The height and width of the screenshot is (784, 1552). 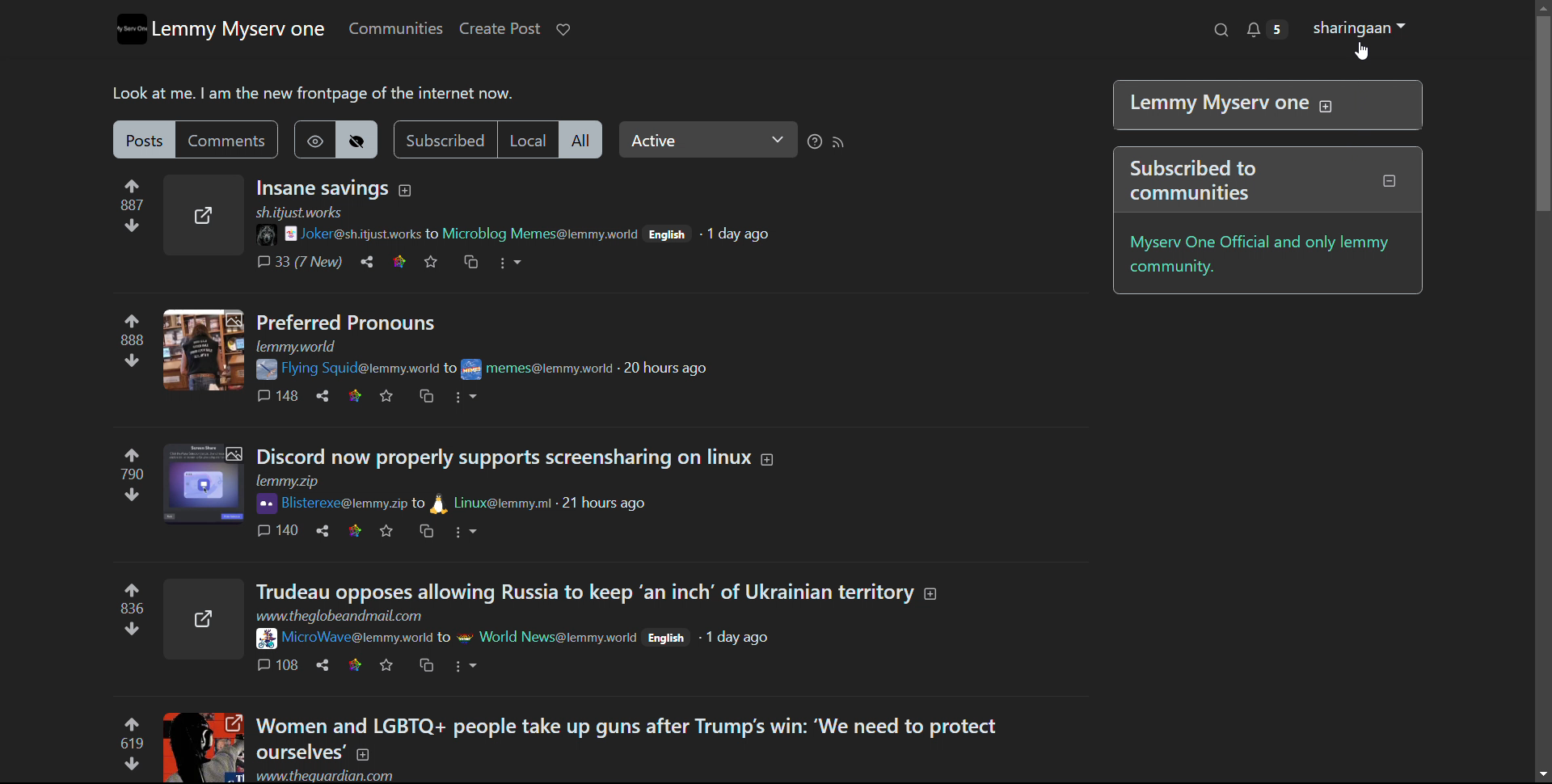 I want to click on sorting help, so click(x=814, y=141).